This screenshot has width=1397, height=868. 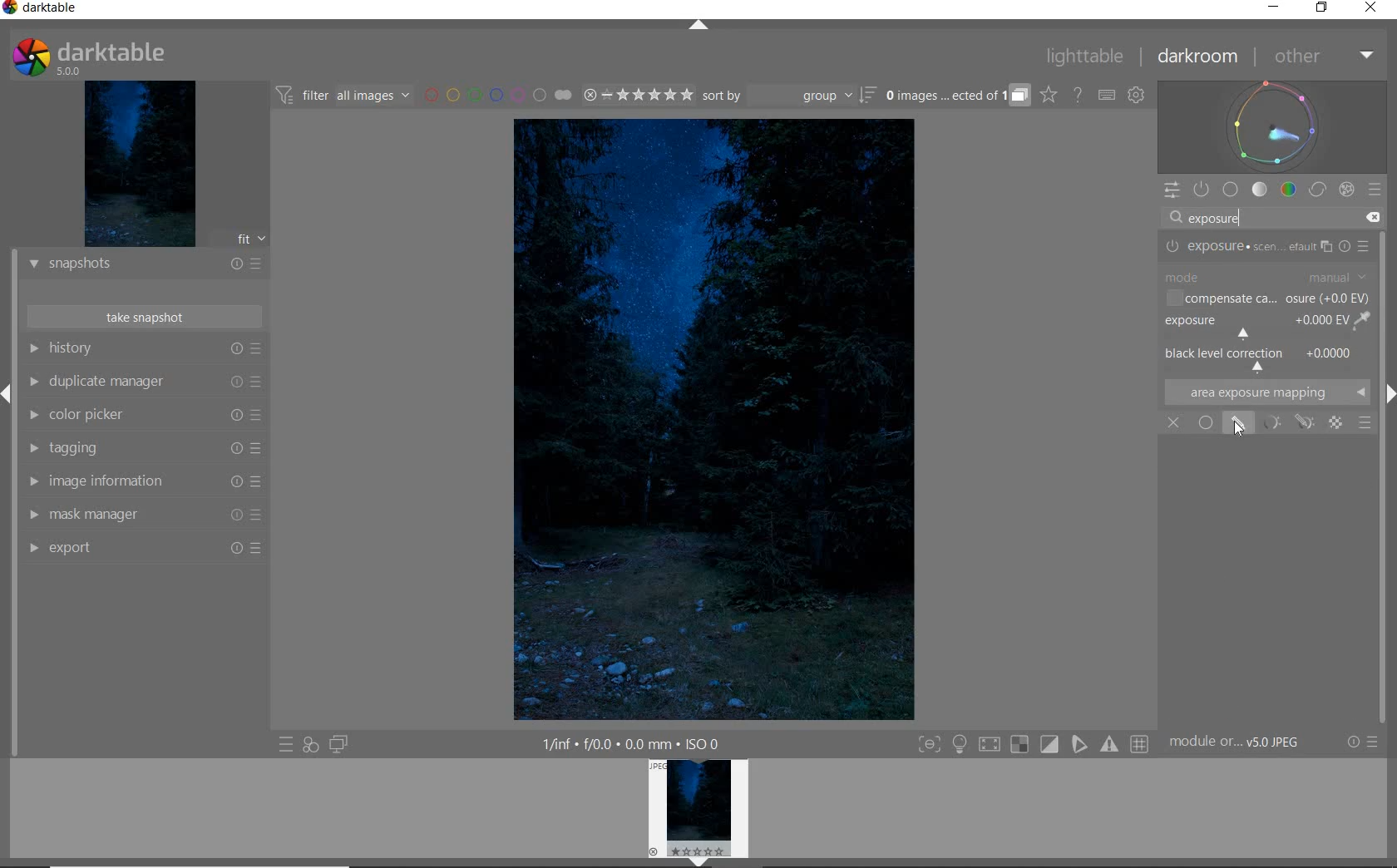 I want to click on PRESETS, so click(x=1376, y=188).